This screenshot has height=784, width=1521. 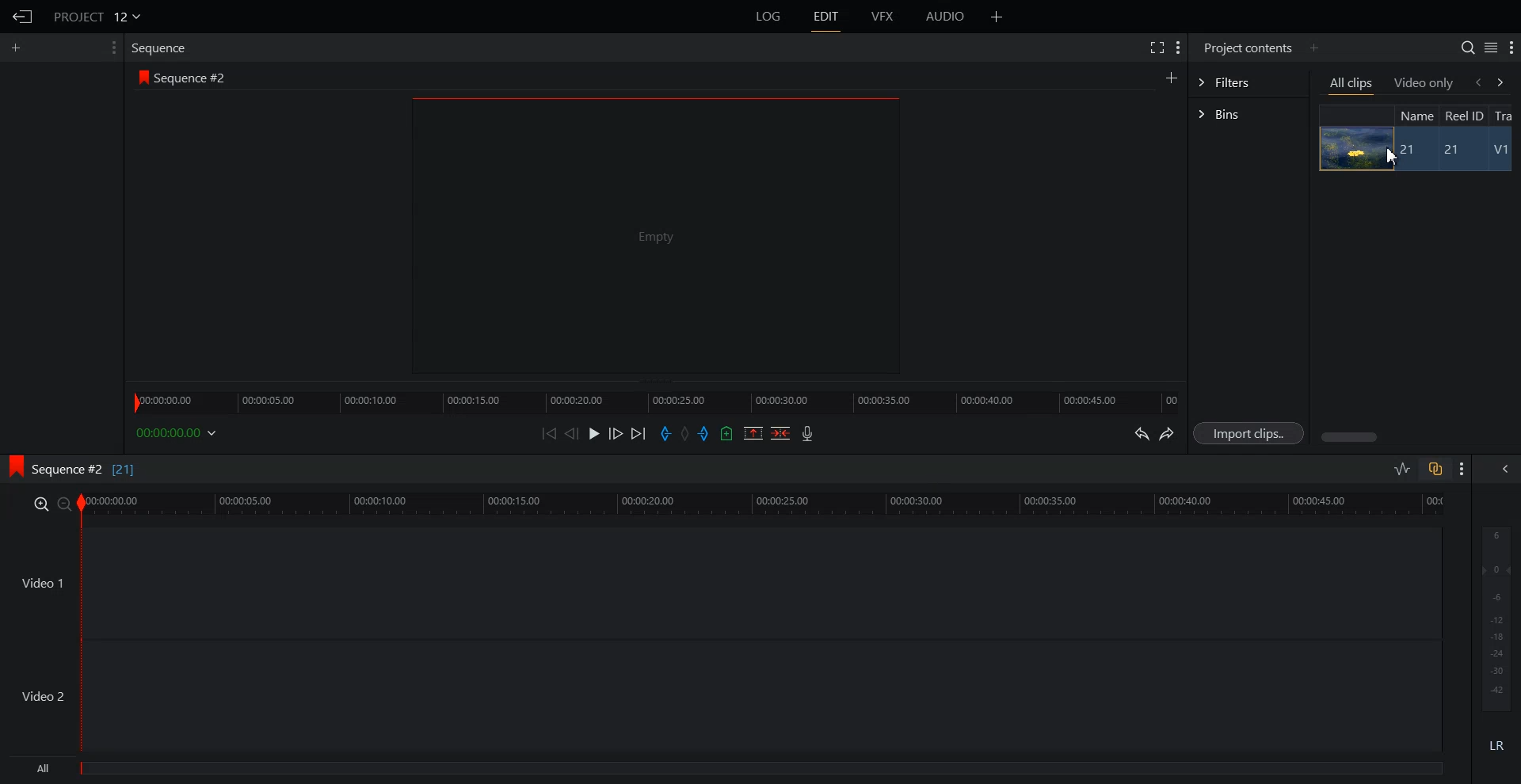 What do you see at coordinates (655, 398) in the screenshot?
I see `Timeline` at bounding box center [655, 398].